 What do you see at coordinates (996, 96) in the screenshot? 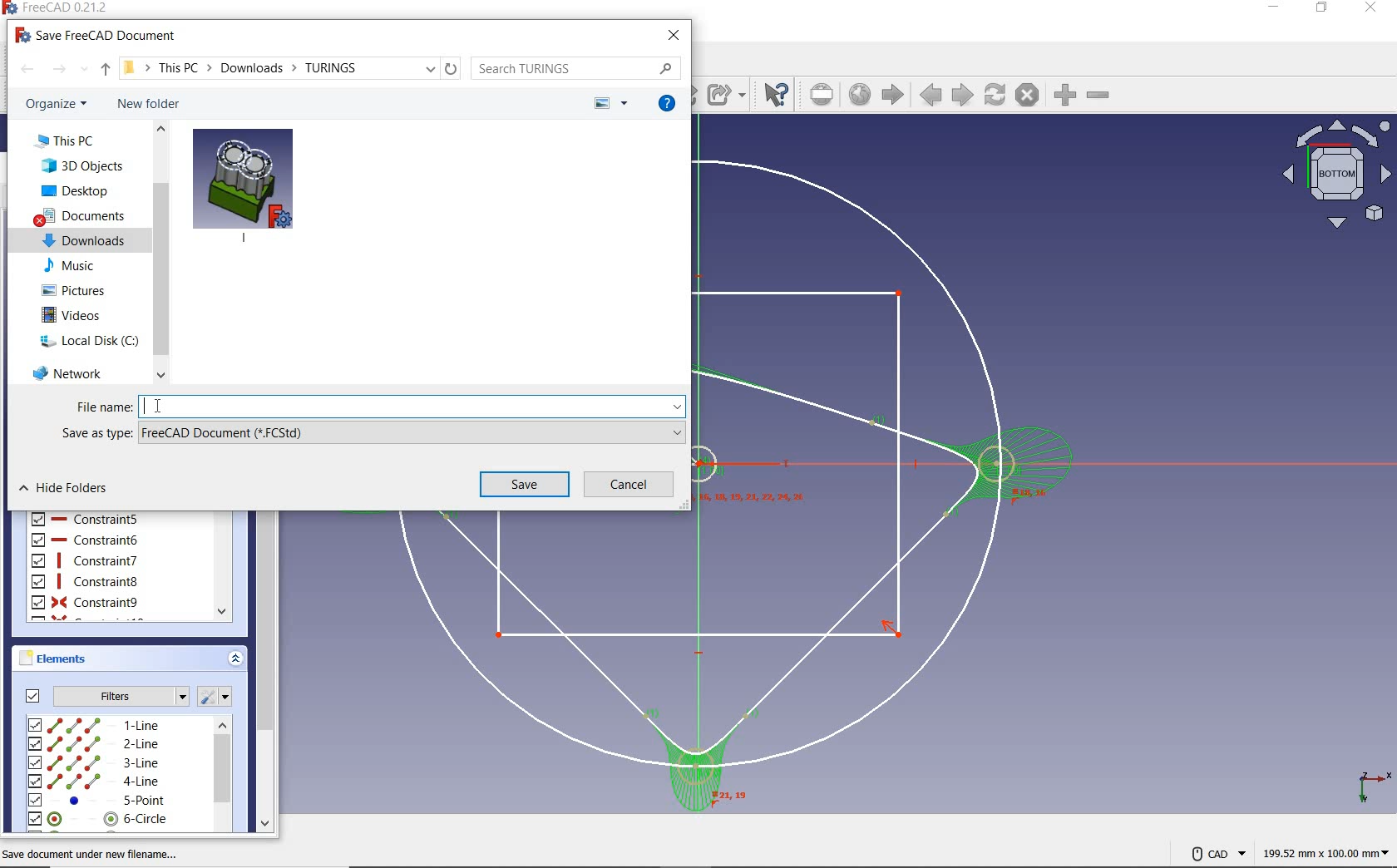
I see `refresh webpage` at bounding box center [996, 96].